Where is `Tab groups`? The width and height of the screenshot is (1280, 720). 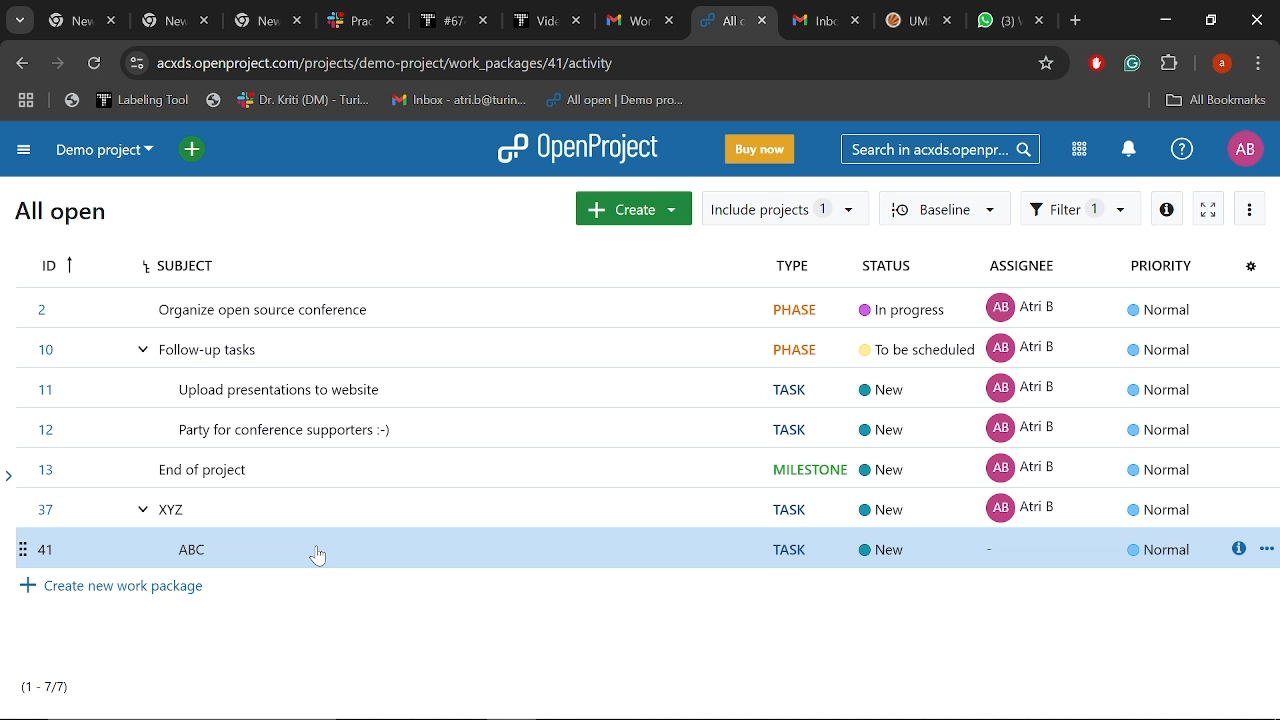
Tab groups is located at coordinates (26, 103).